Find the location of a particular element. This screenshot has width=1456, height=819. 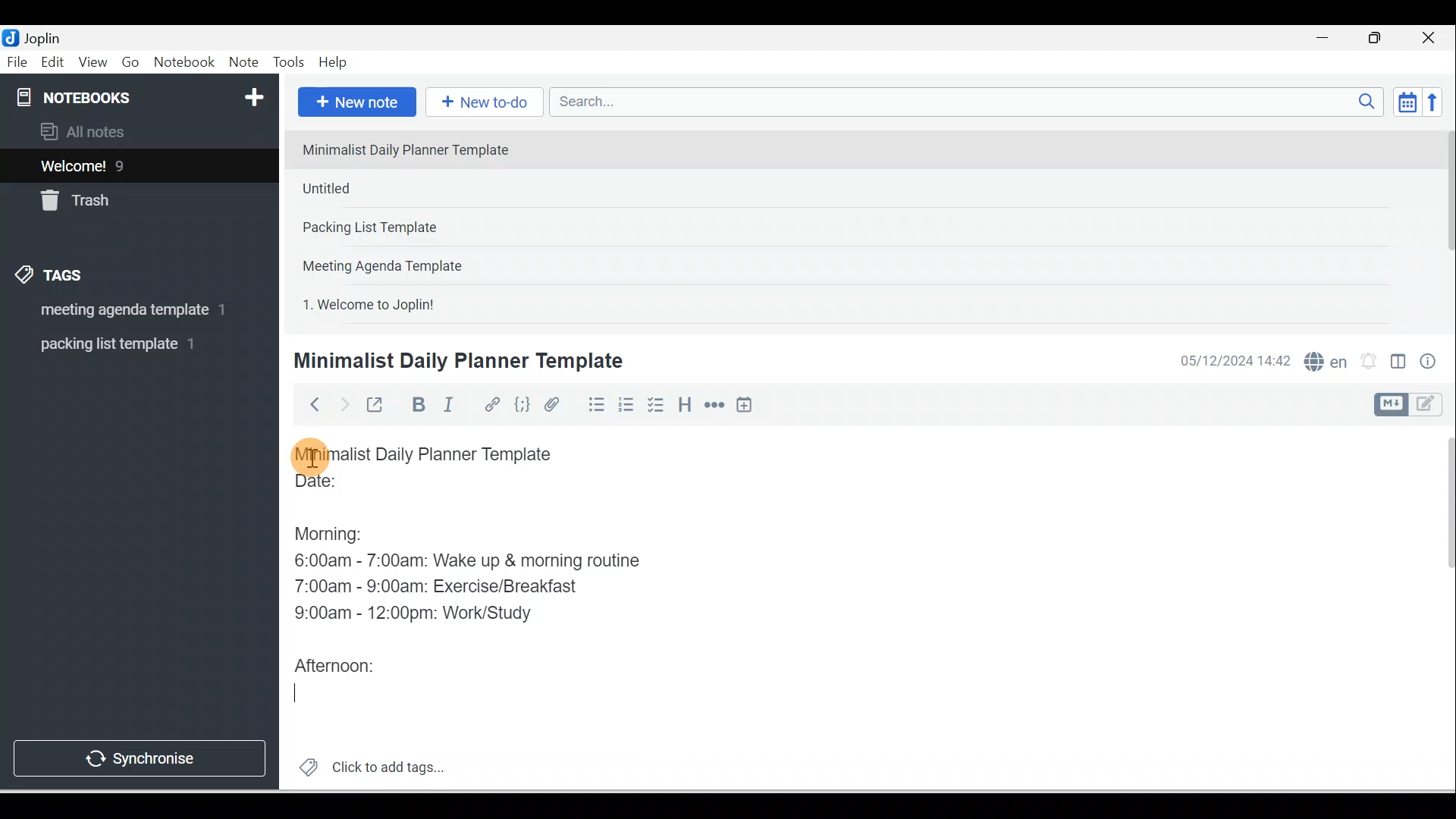

Attach file is located at coordinates (556, 404).